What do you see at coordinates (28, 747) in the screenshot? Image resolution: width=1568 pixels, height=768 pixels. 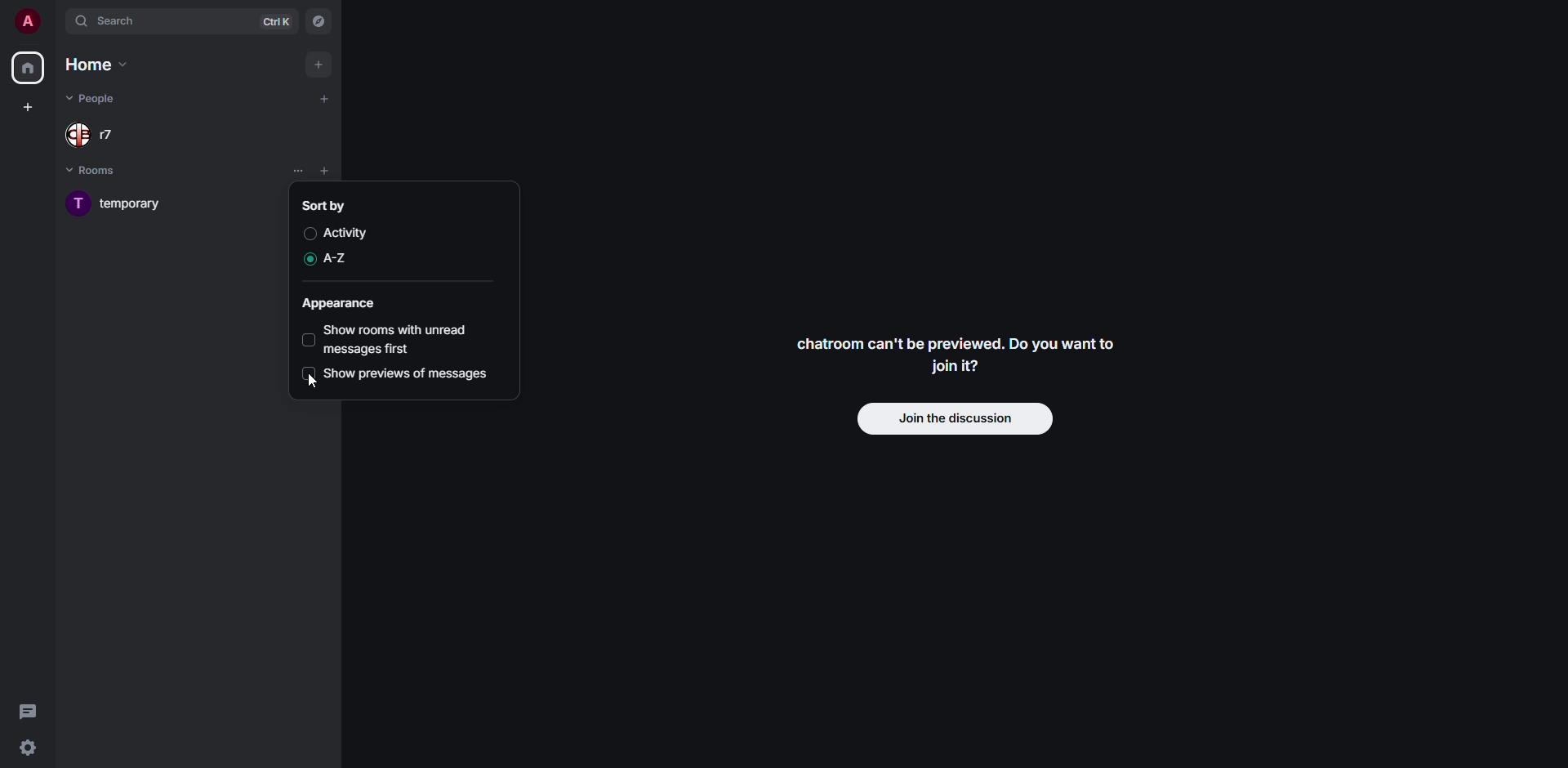 I see `quick settings` at bounding box center [28, 747].